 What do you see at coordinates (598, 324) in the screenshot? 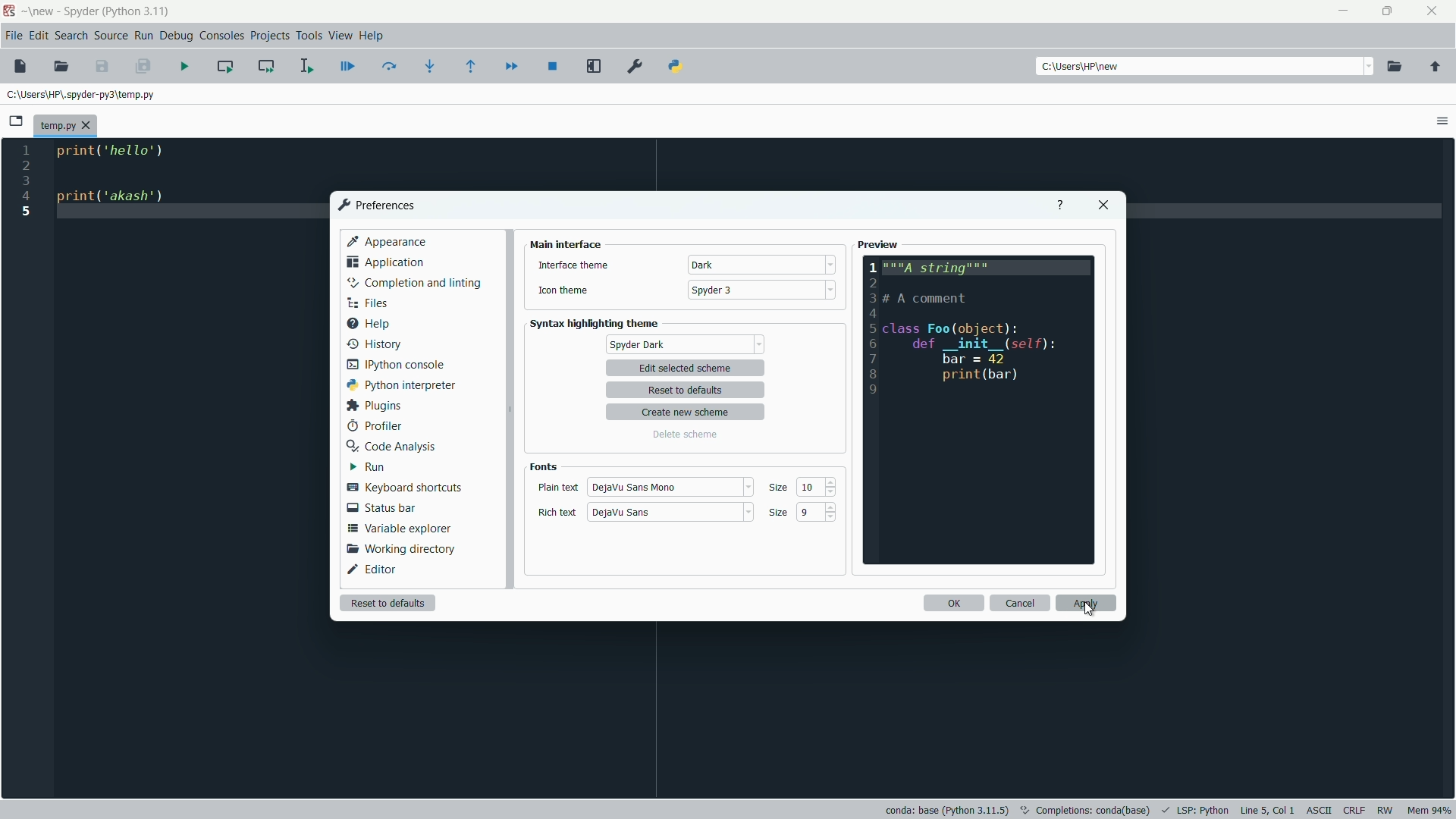
I see `syntax highlighting theme` at bounding box center [598, 324].